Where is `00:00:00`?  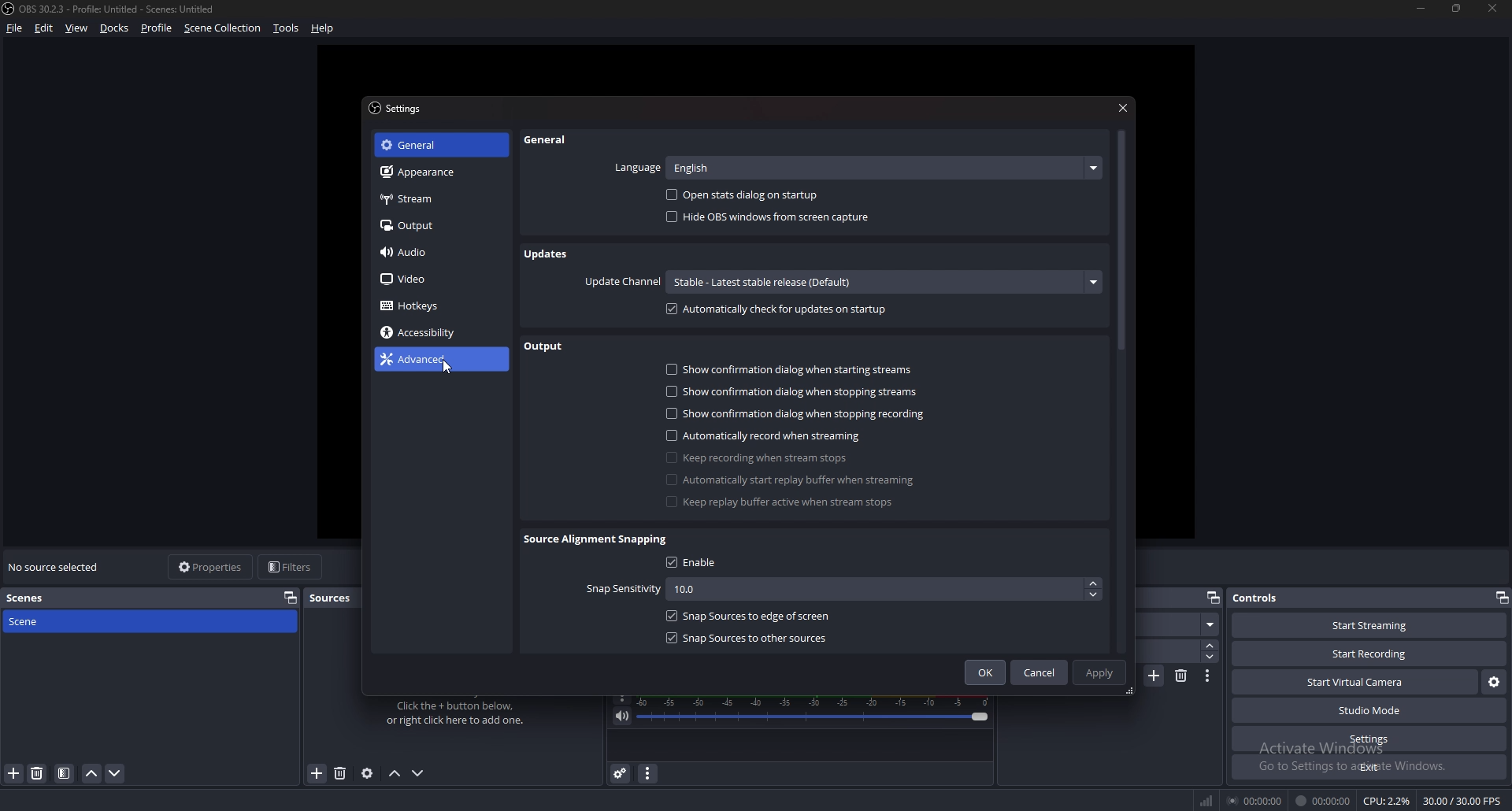
00:00:00 is located at coordinates (1325, 801).